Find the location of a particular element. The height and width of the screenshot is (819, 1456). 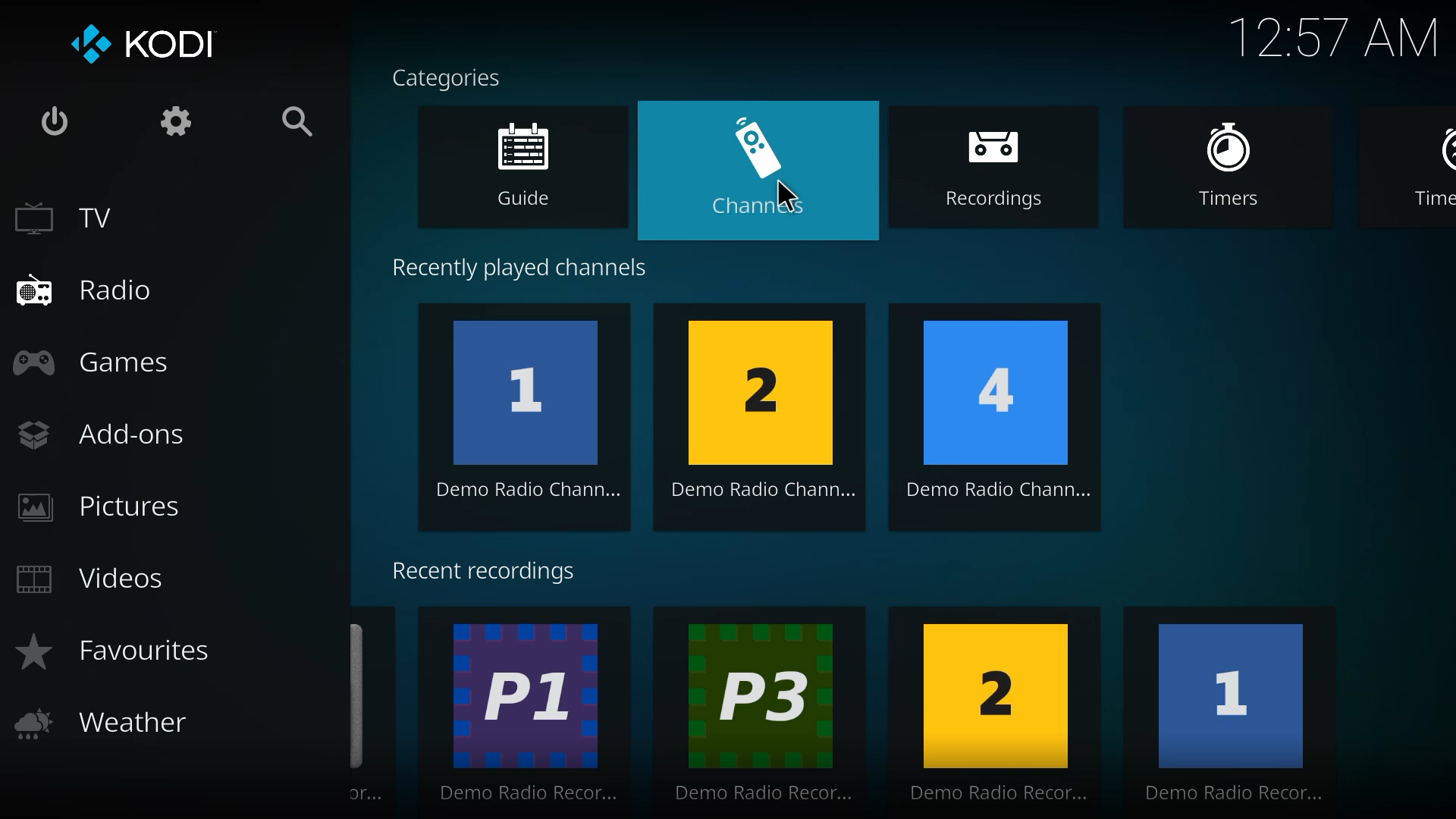

recent is located at coordinates (488, 573).